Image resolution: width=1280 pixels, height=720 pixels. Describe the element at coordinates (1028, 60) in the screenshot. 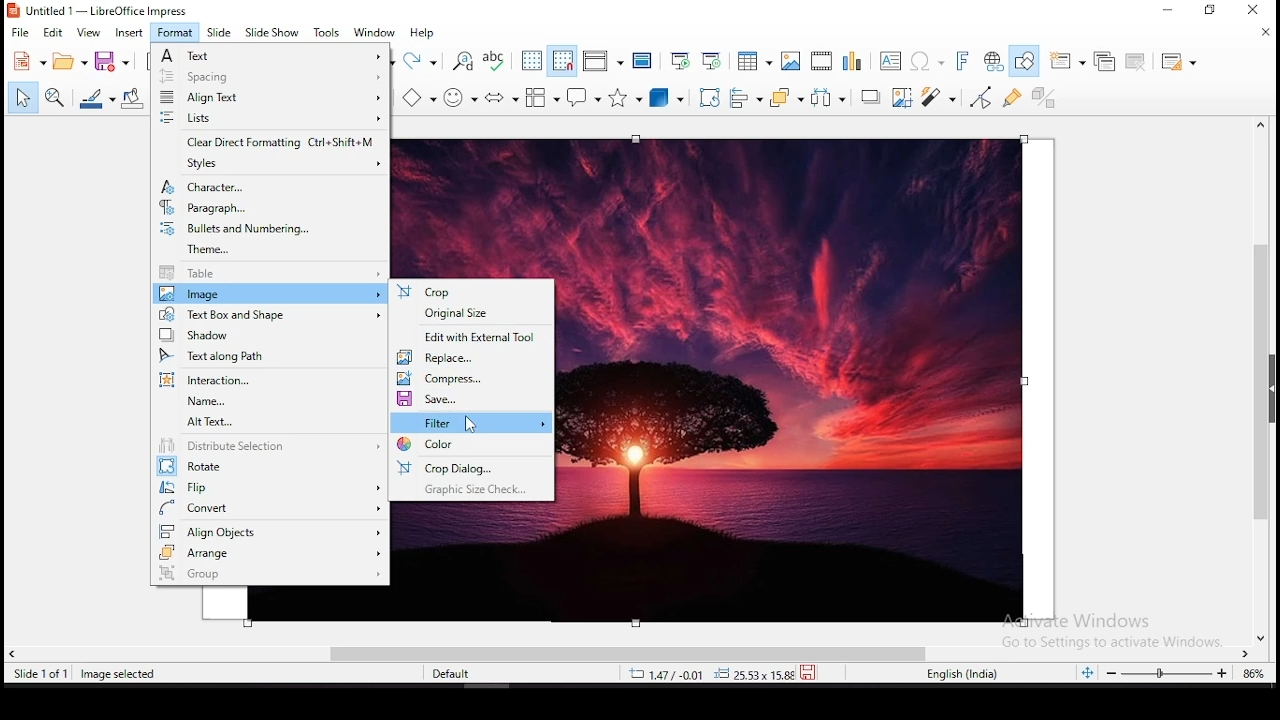

I see `show draw functions` at that location.